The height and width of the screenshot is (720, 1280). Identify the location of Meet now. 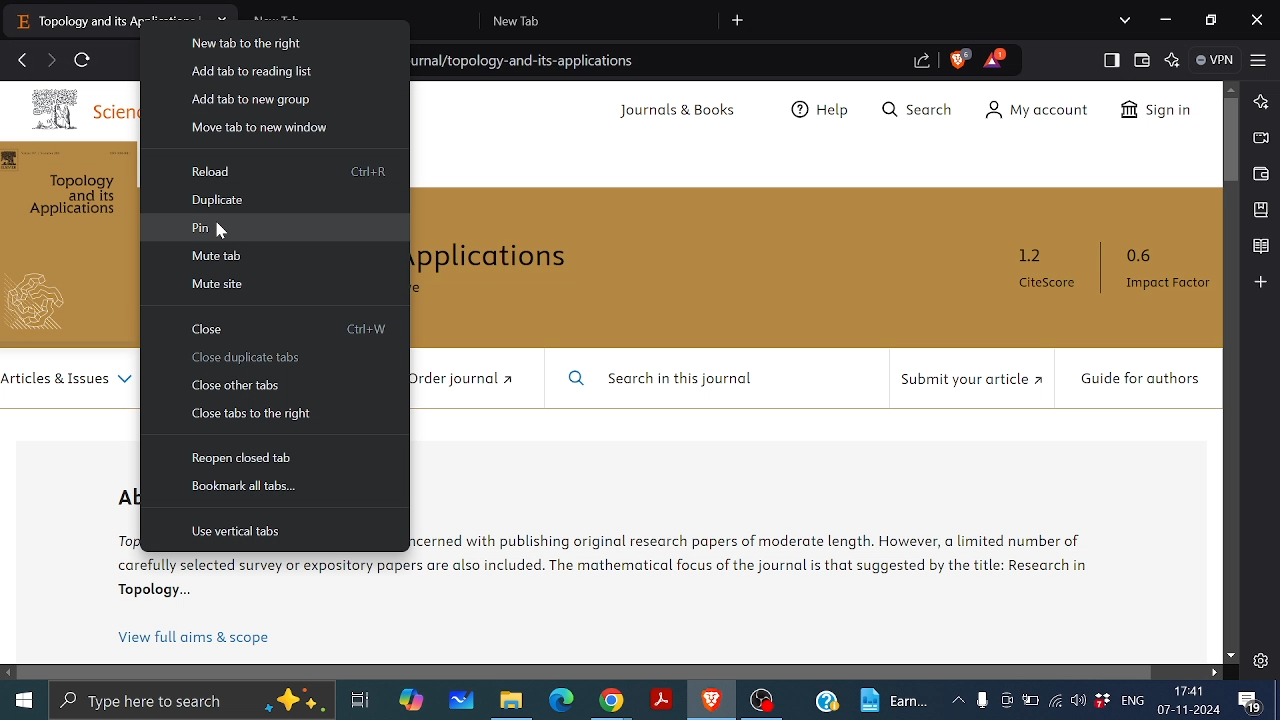
(1006, 700).